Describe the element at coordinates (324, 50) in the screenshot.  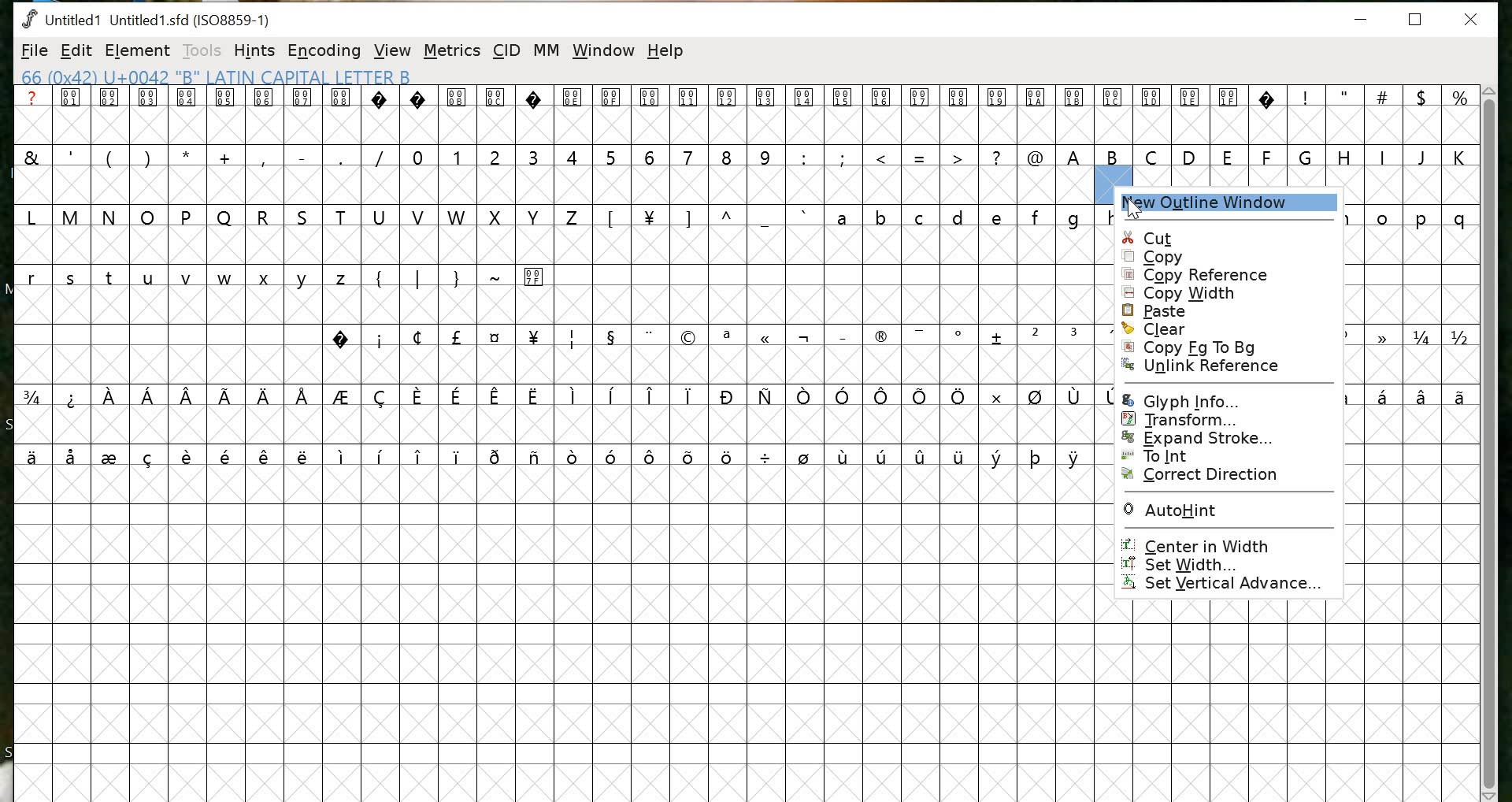
I see `ENCODING` at that location.